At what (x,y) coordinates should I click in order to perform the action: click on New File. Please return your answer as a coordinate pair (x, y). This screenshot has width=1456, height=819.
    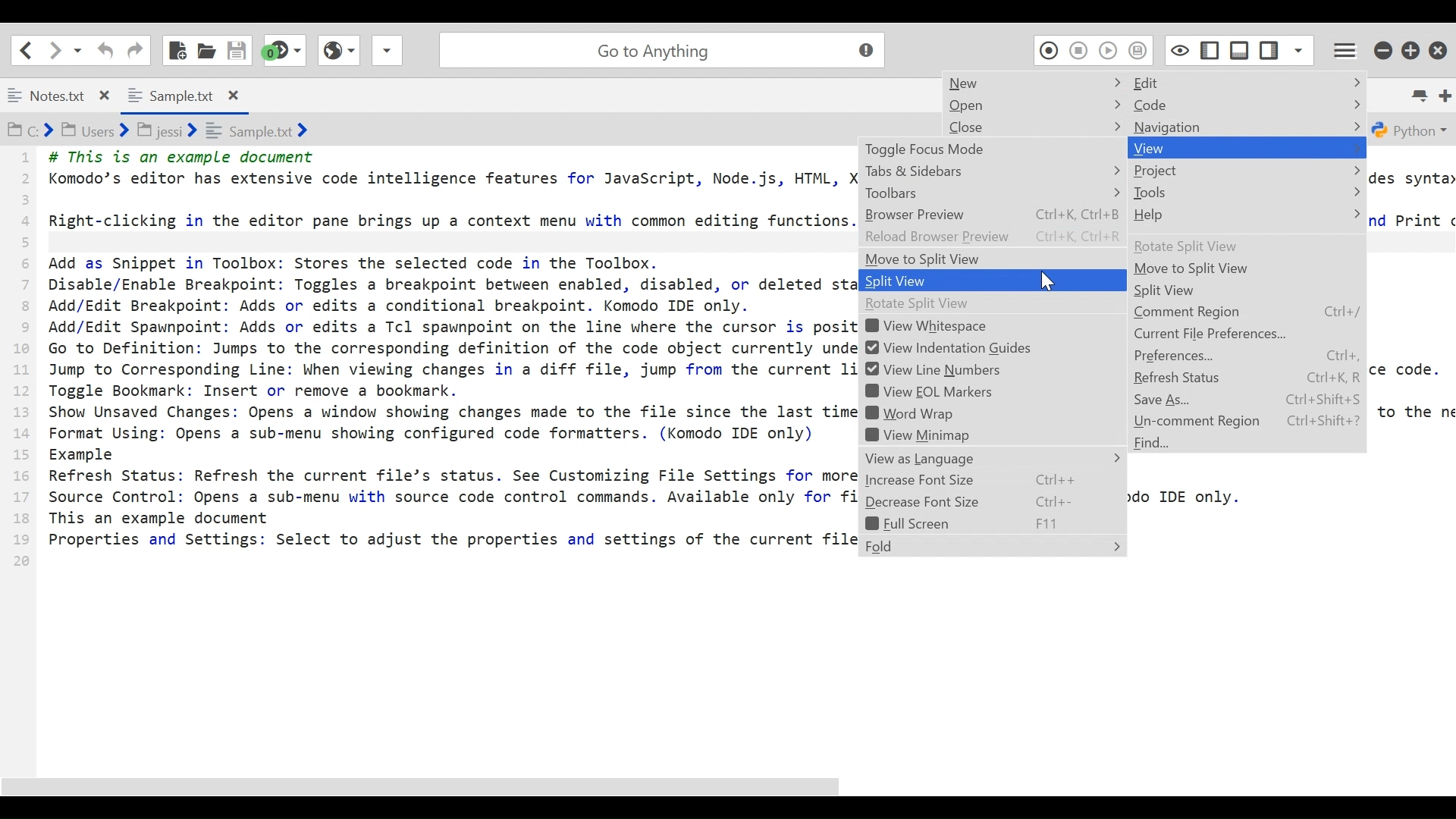
    Looking at the image, I should click on (176, 48).